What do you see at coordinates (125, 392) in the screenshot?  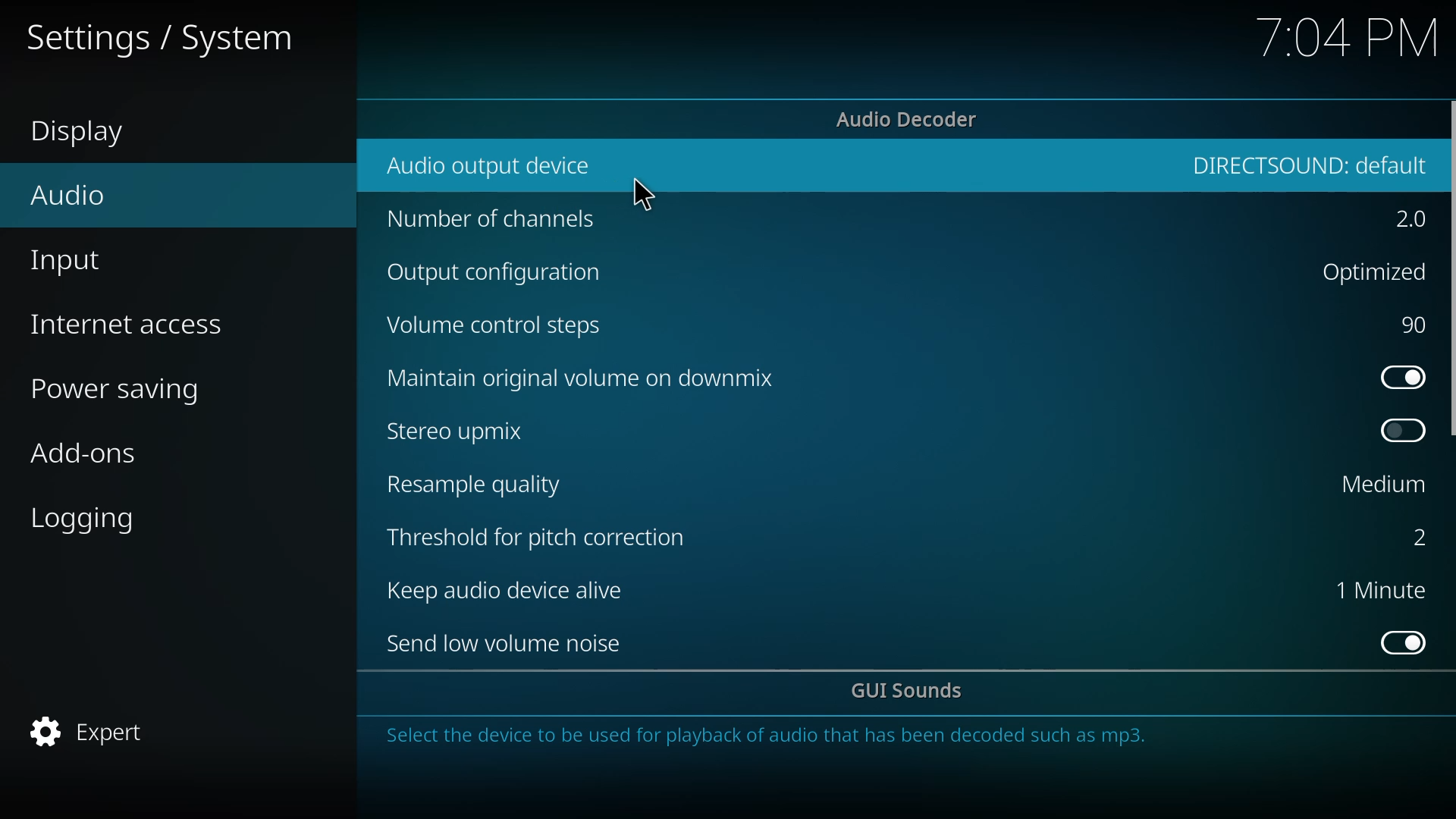 I see `power saving` at bounding box center [125, 392].